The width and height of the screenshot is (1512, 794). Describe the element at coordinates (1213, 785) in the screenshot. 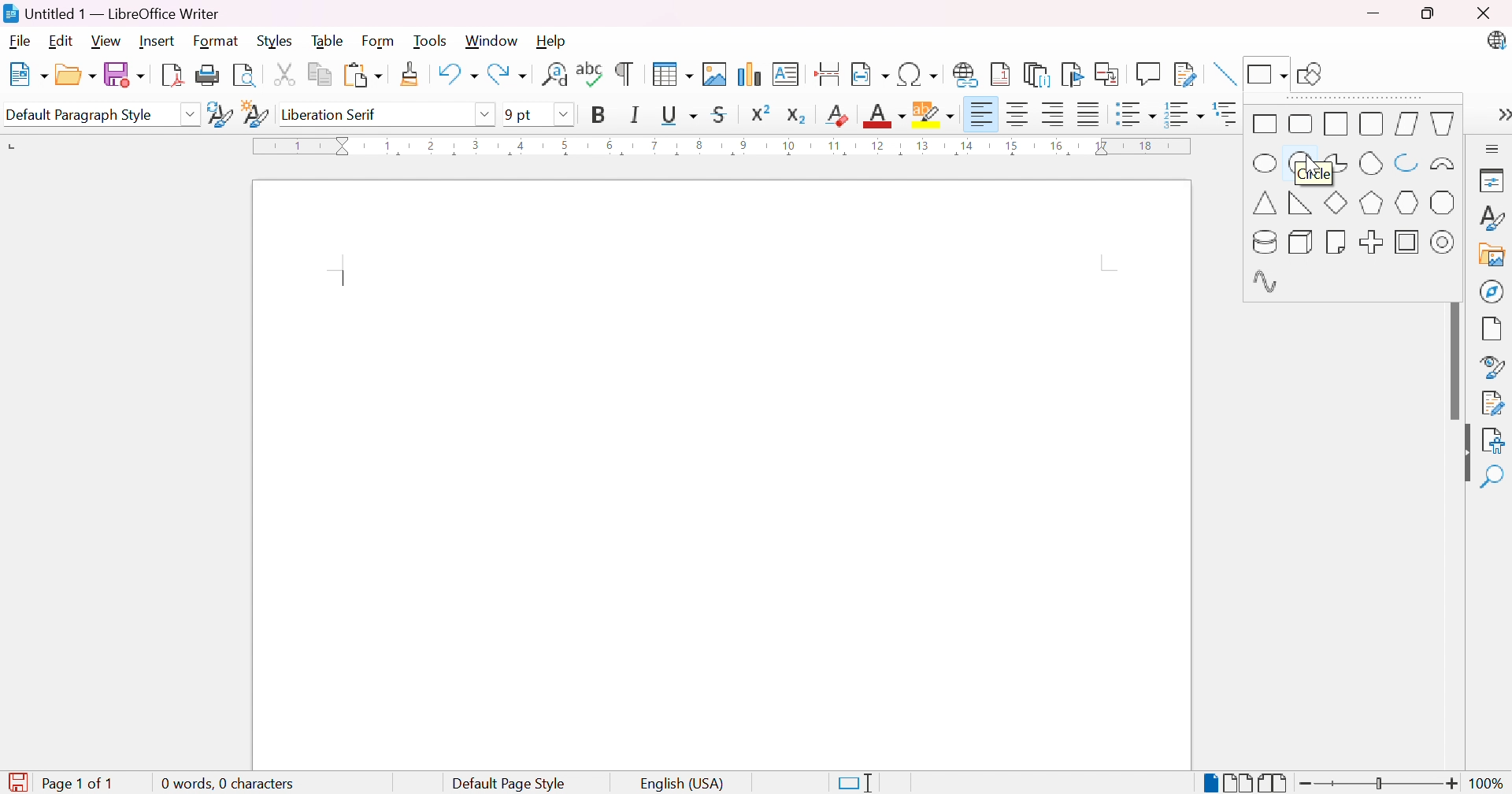

I see `Single-page view` at that location.